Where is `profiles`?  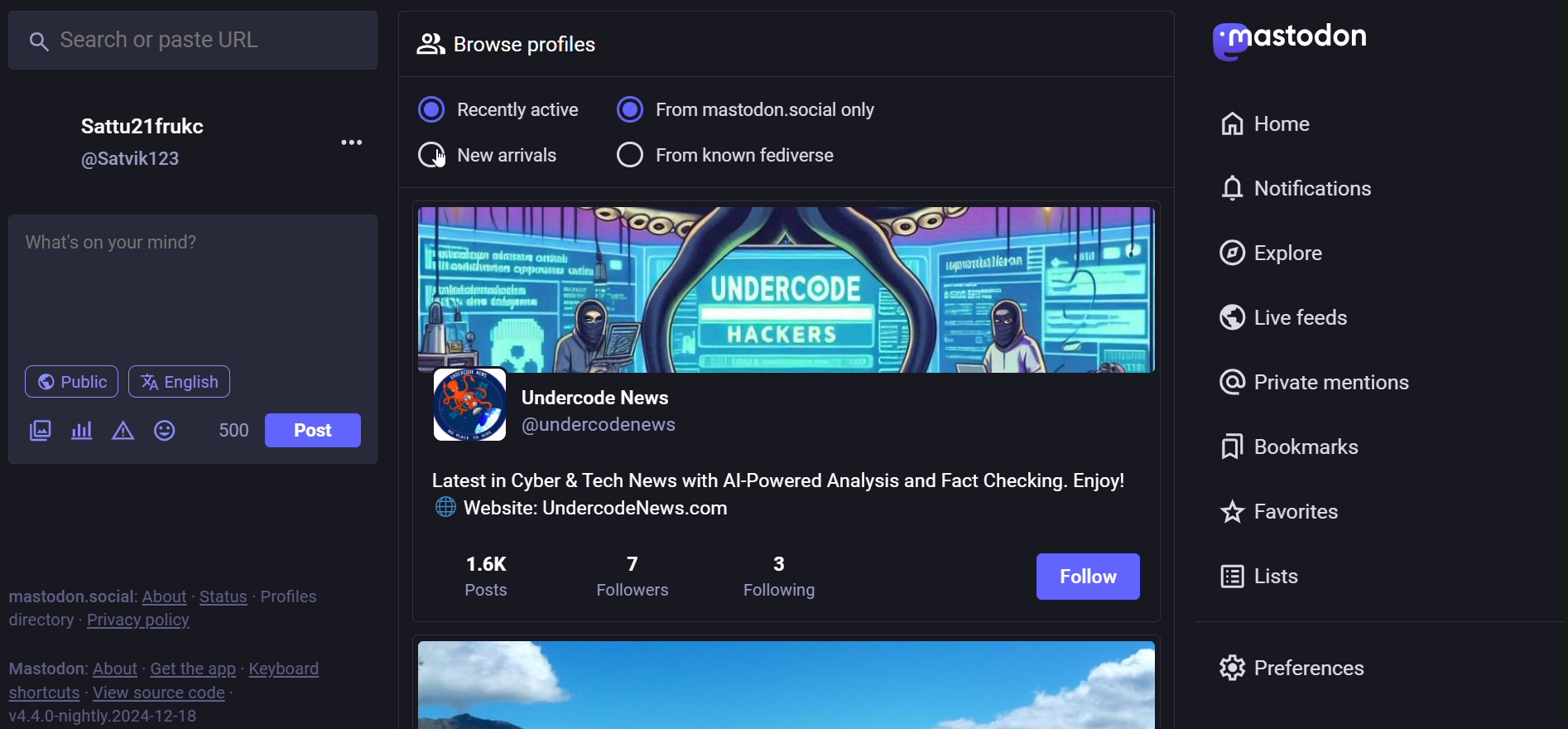 profiles is located at coordinates (296, 594).